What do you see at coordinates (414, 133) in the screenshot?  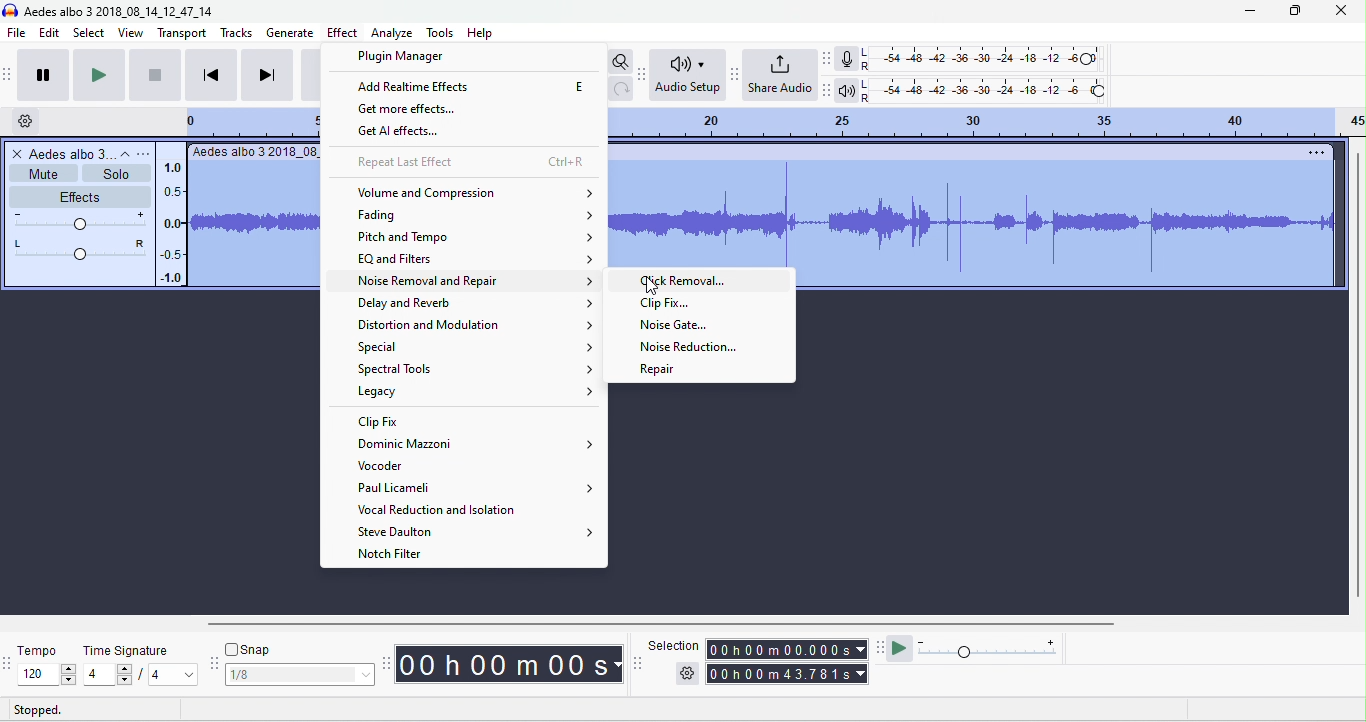 I see `get AI effects` at bounding box center [414, 133].